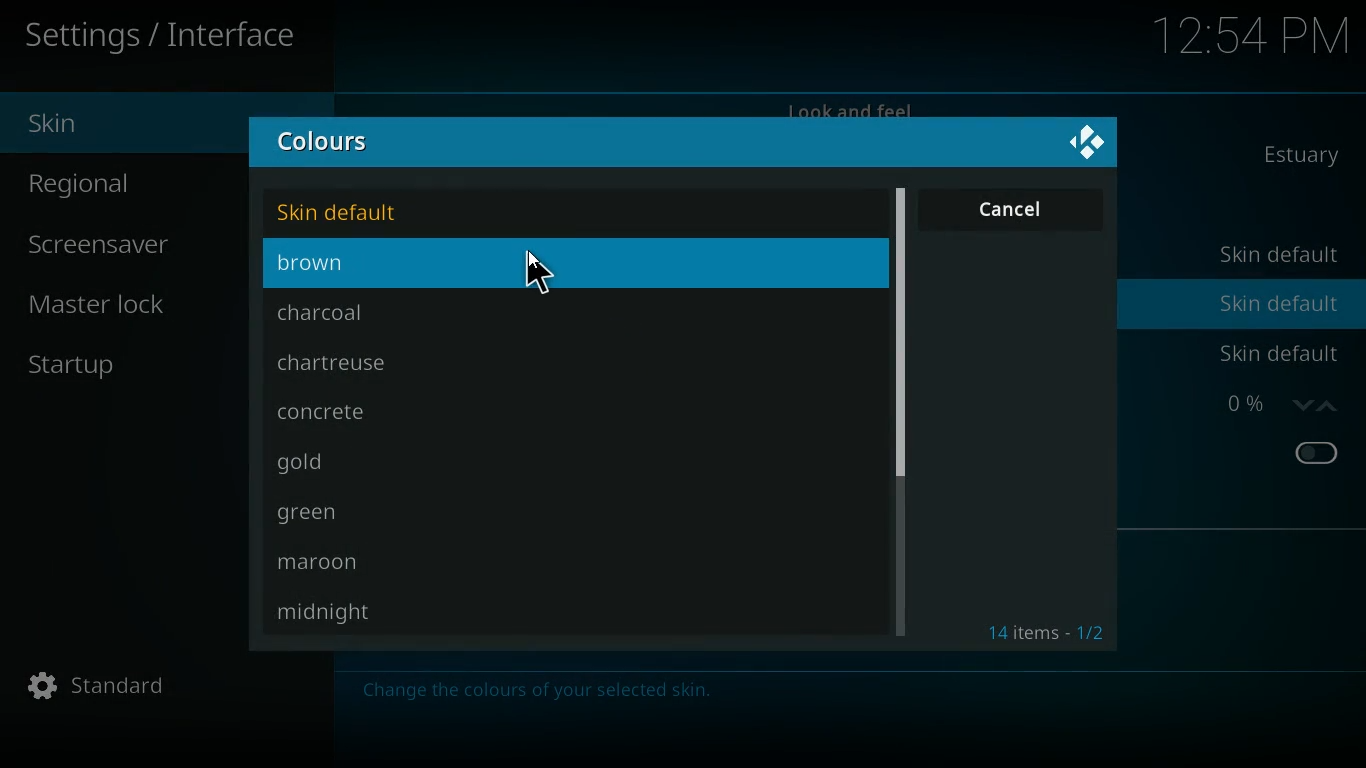 This screenshot has width=1366, height=768. Describe the element at coordinates (85, 368) in the screenshot. I see `startup` at that location.